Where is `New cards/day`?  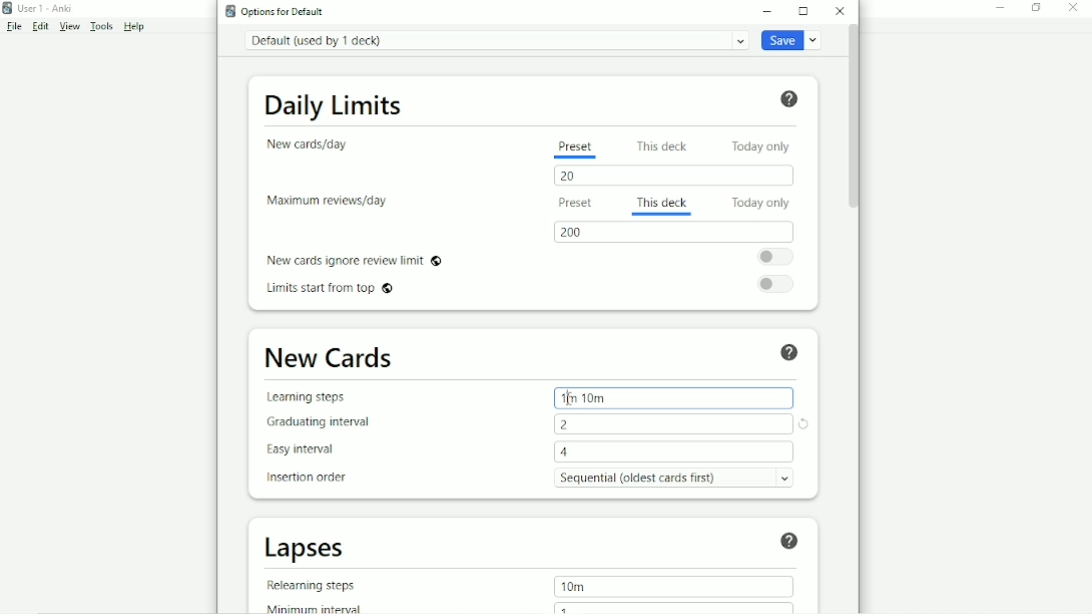
New cards/day is located at coordinates (308, 144).